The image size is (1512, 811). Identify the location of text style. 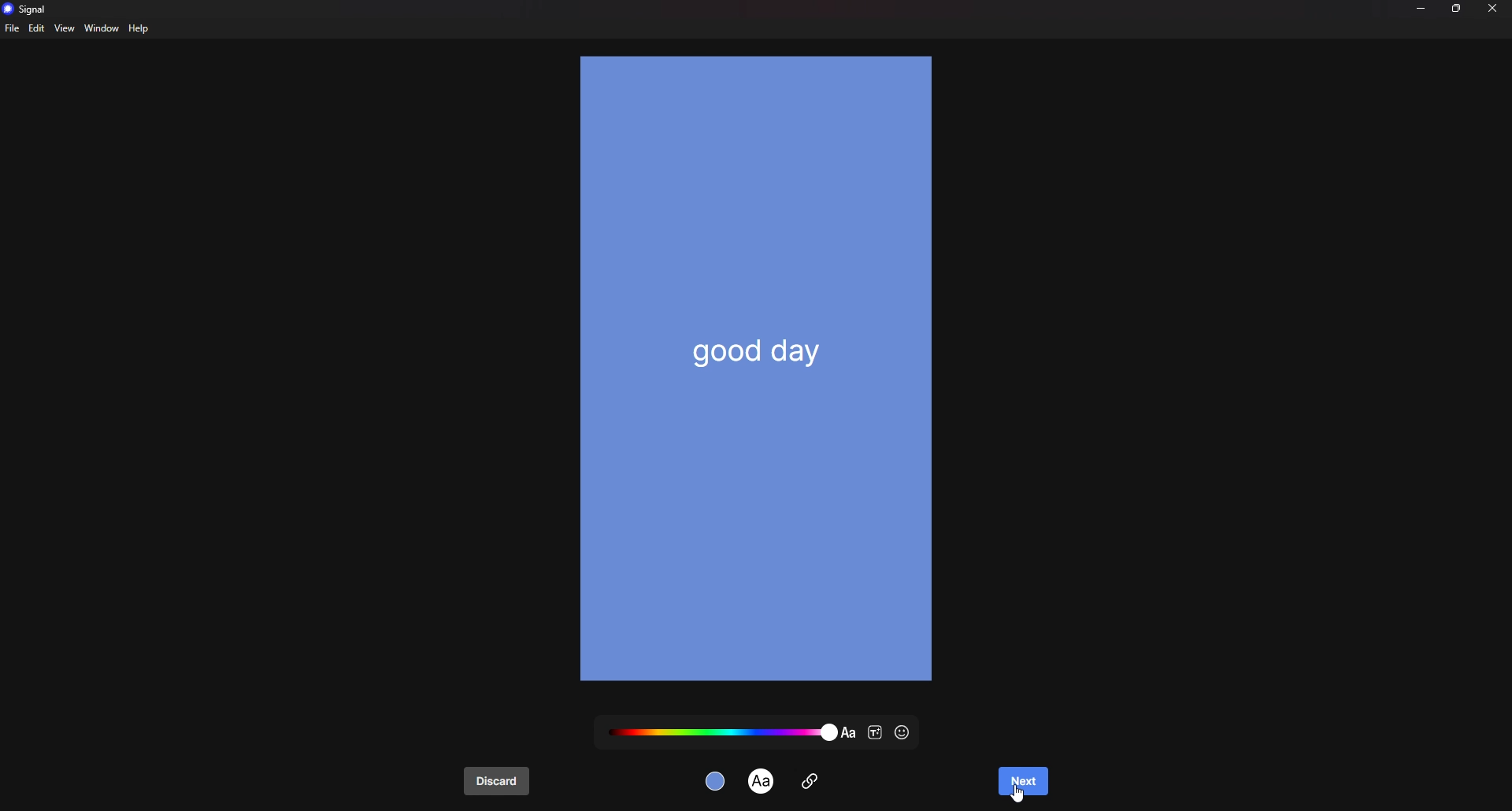
(876, 733).